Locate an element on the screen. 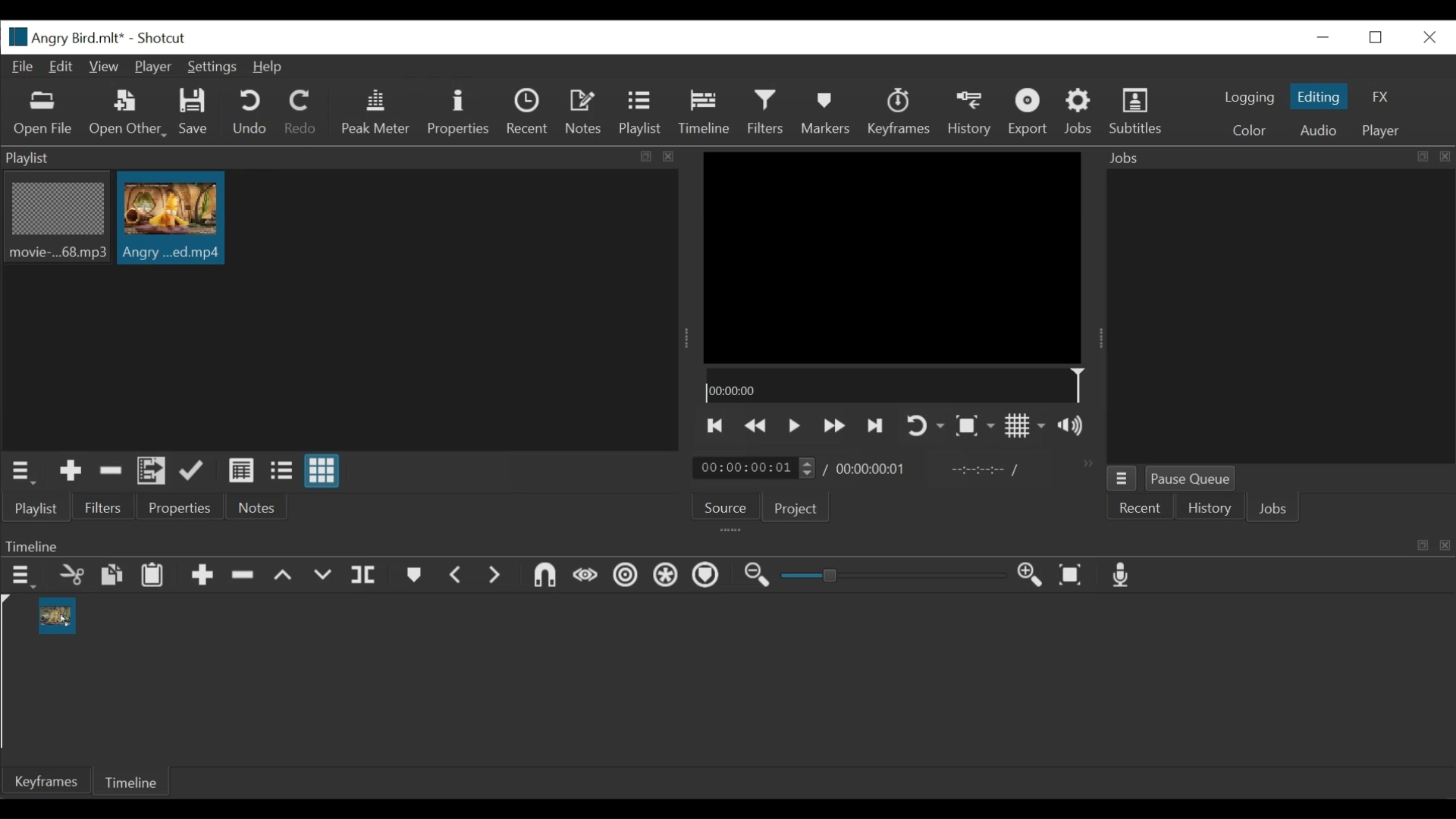 The image size is (1456, 819). File name is located at coordinates (64, 36).